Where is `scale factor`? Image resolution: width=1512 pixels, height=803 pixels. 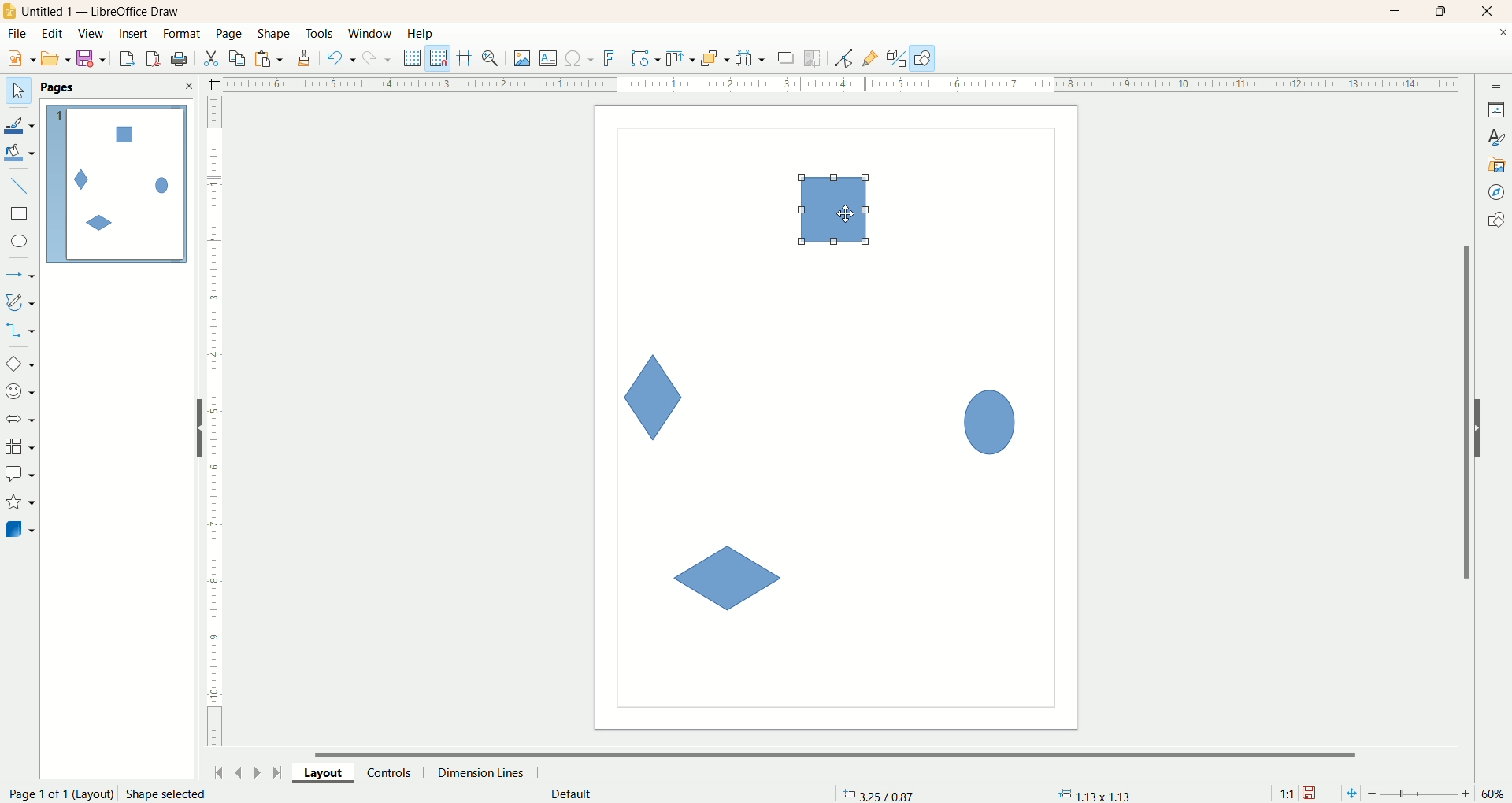 scale factor is located at coordinates (1287, 794).